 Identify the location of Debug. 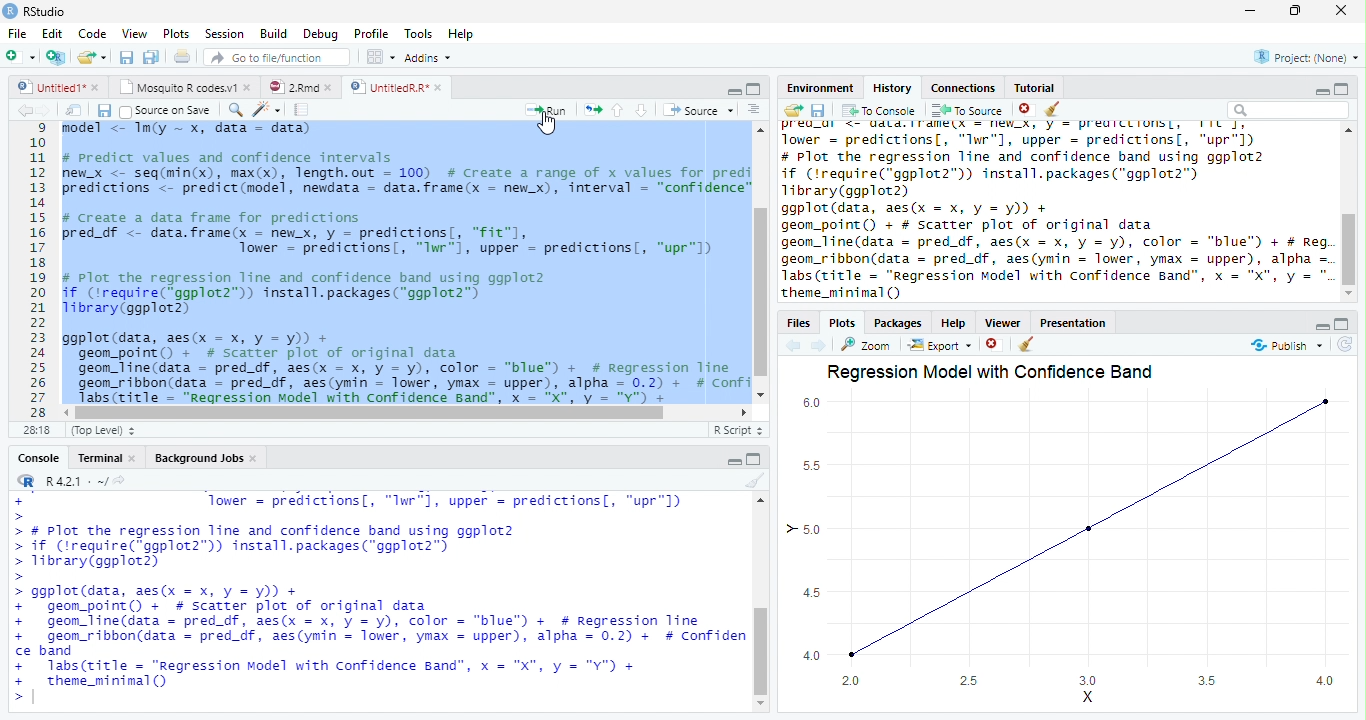
(324, 36).